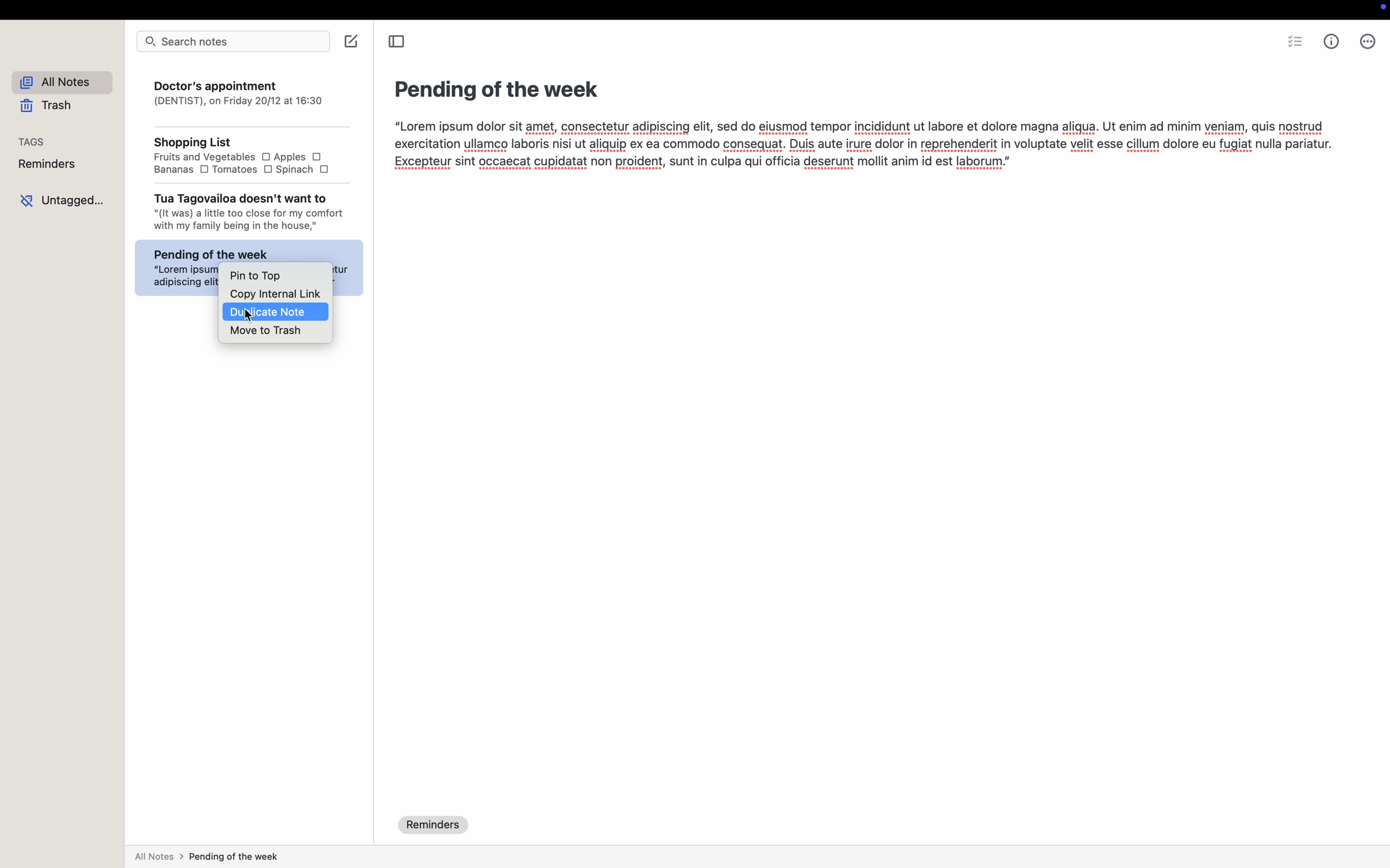 This screenshot has height=868, width=1390. What do you see at coordinates (1379, 9) in the screenshot?
I see `screen controls` at bounding box center [1379, 9].